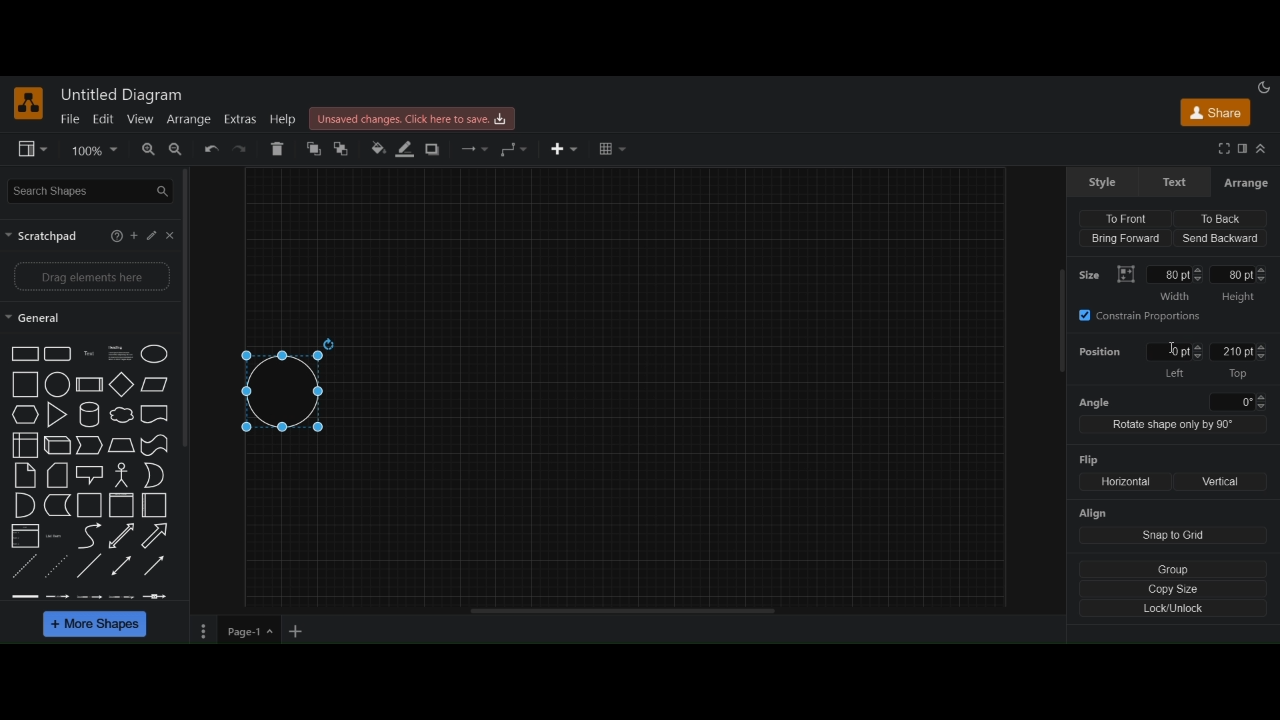 The image size is (1280, 720). I want to click on send backward, so click(1221, 238).